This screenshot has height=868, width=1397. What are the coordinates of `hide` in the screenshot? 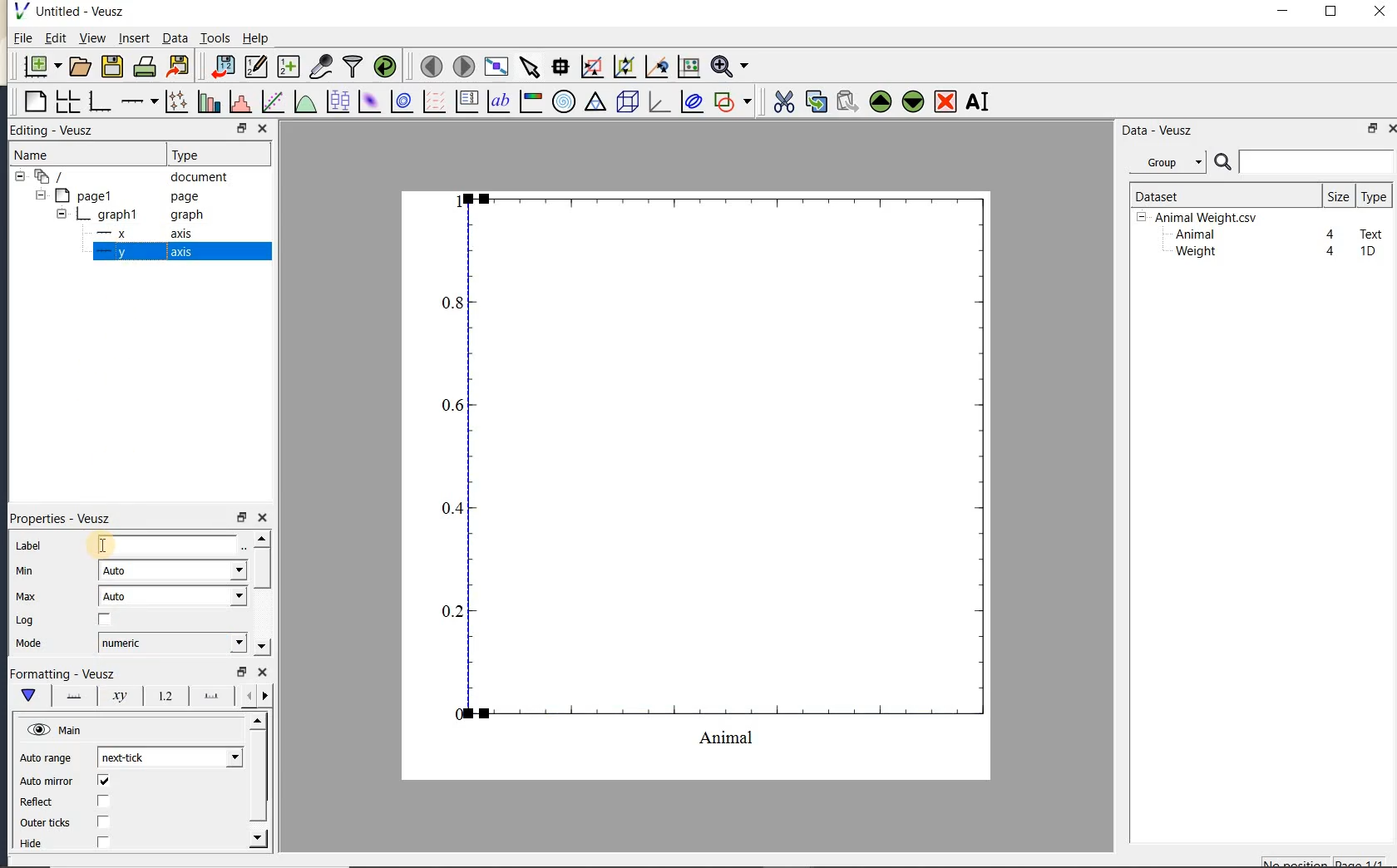 It's located at (41, 844).